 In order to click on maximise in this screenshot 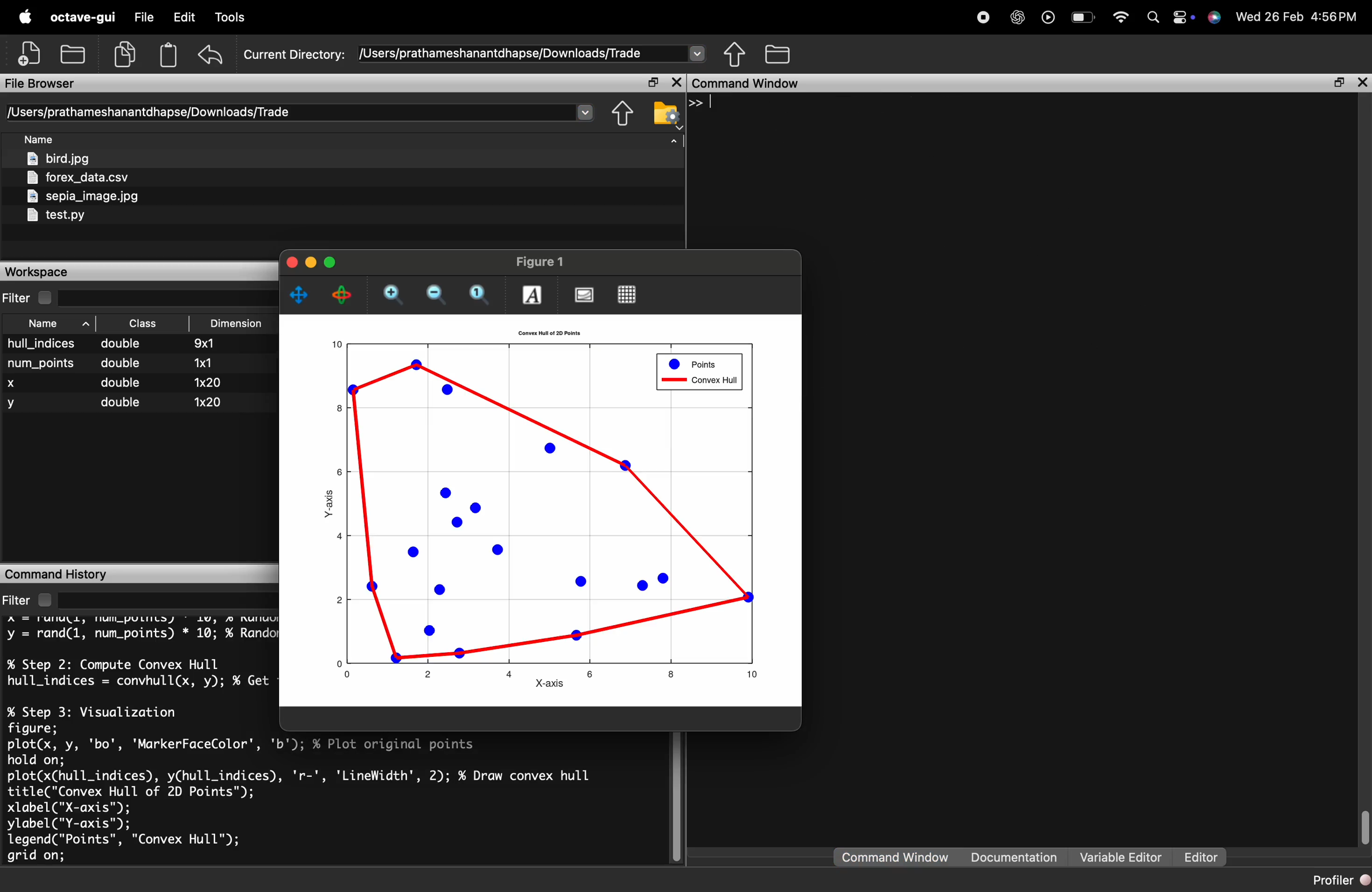, I will do `click(330, 263)`.